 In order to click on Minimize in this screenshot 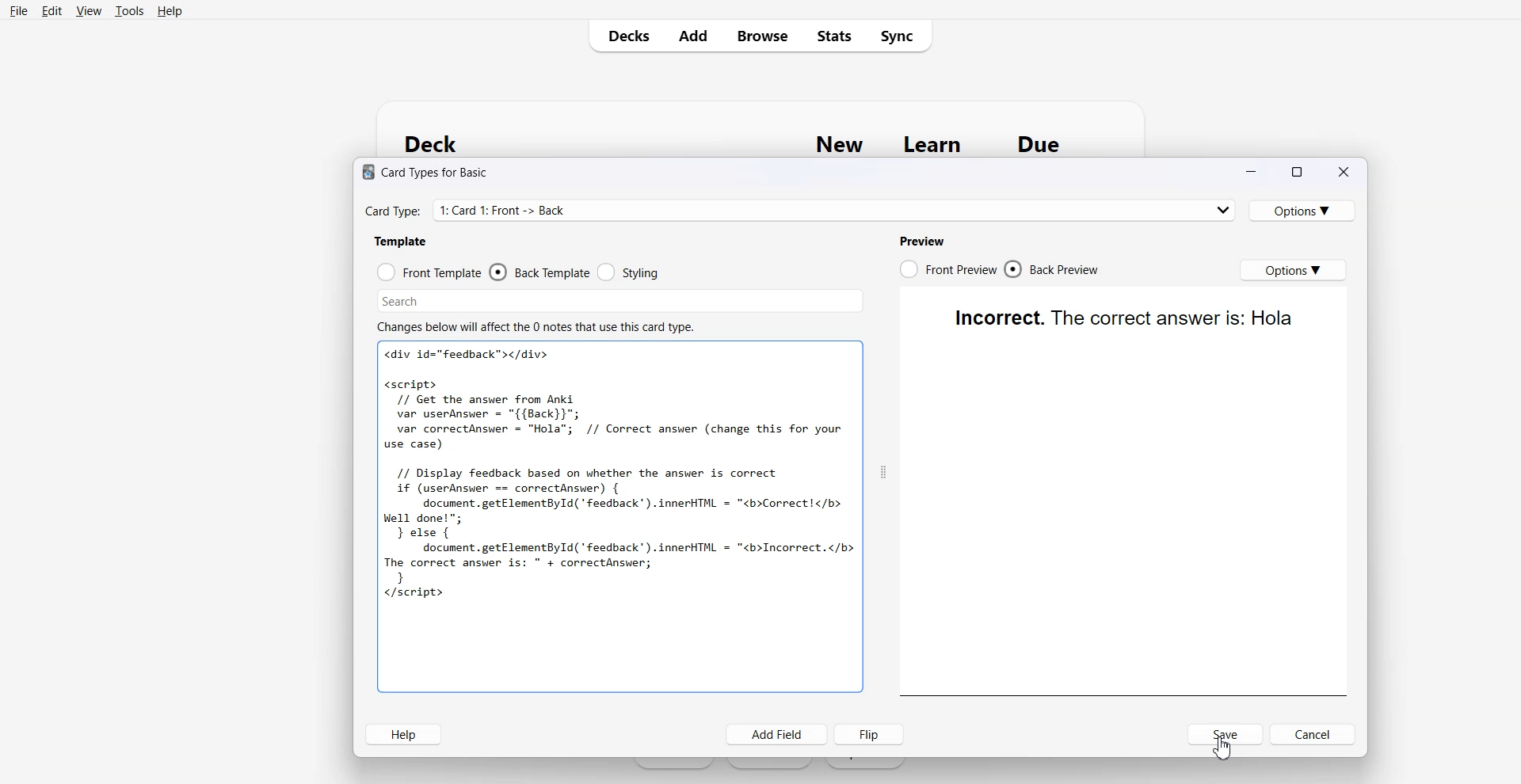, I will do `click(1253, 173)`.